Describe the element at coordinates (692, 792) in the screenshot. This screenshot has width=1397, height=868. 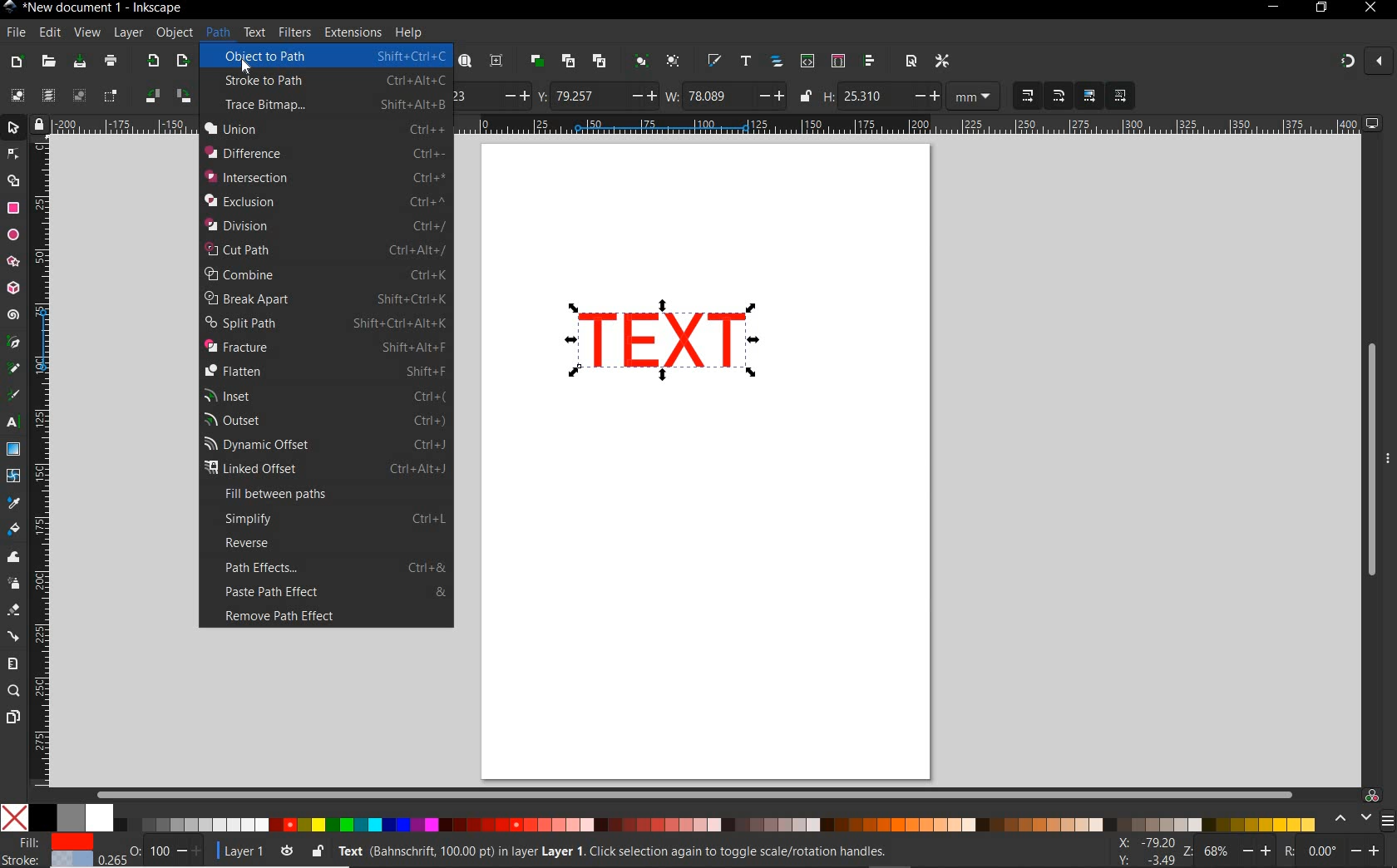
I see `SCROLLBAR` at that location.